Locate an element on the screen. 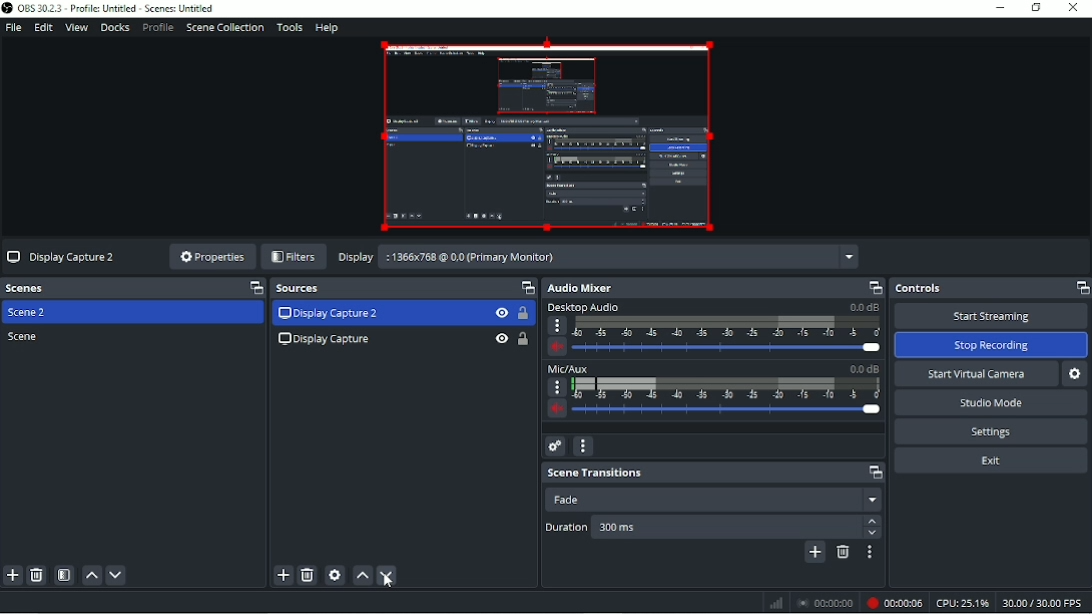 The height and width of the screenshot is (614, 1092). Help is located at coordinates (326, 28).